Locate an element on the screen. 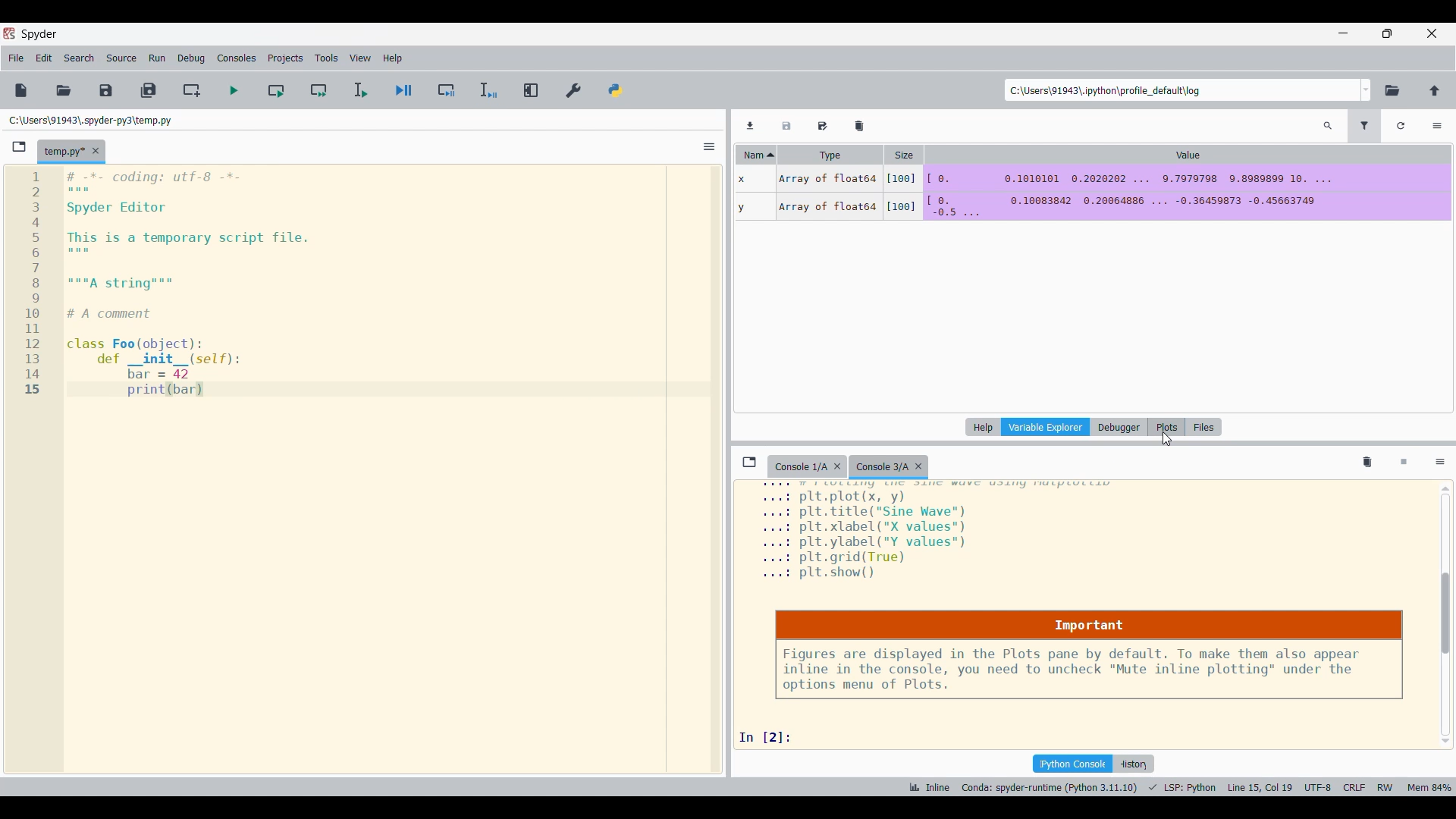 Image resolution: width=1456 pixels, height=819 pixels. Run current cell and go to next is located at coordinates (319, 90).